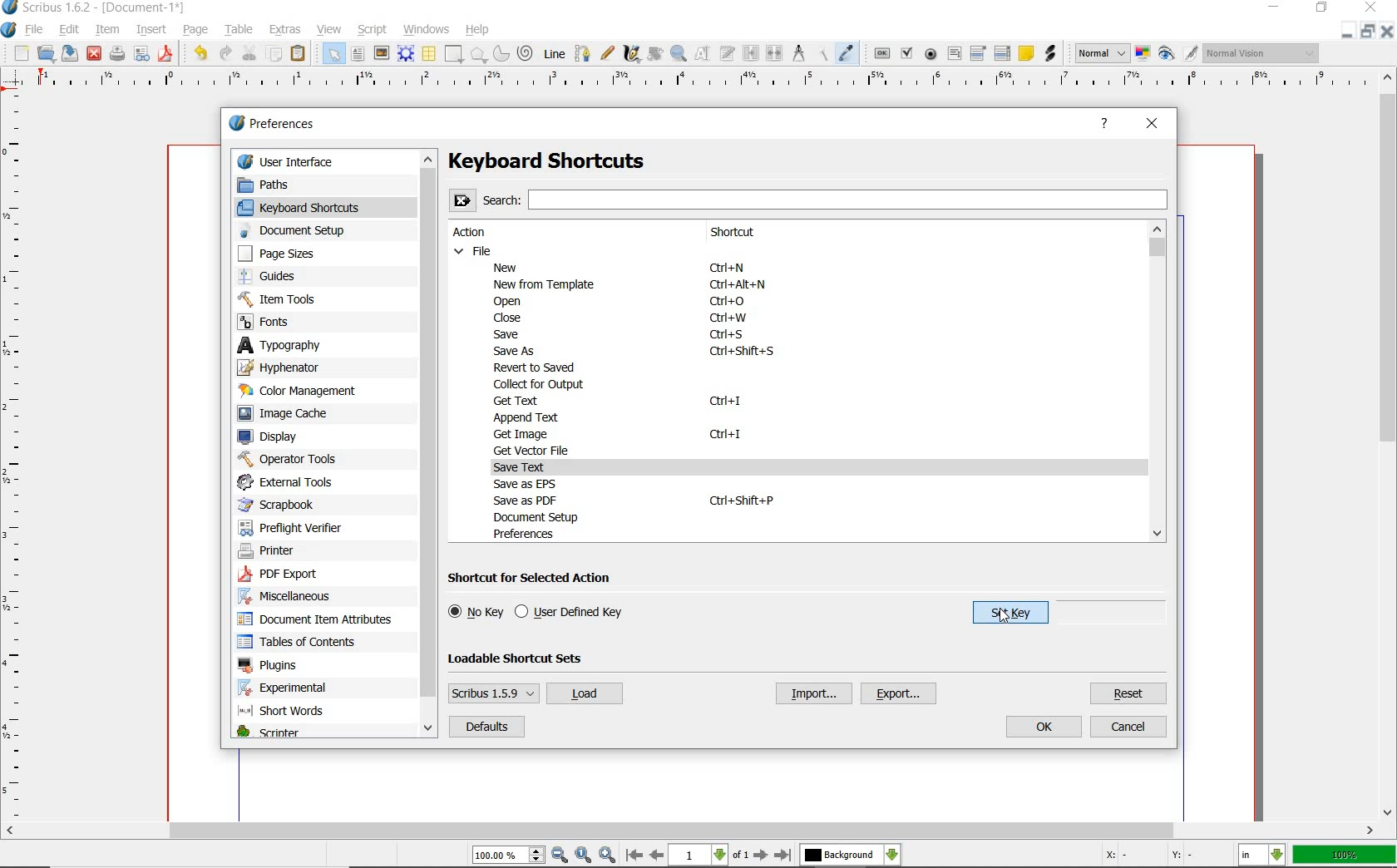  What do you see at coordinates (71, 29) in the screenshot?
I see `edit` at bounding box center [71, 29].